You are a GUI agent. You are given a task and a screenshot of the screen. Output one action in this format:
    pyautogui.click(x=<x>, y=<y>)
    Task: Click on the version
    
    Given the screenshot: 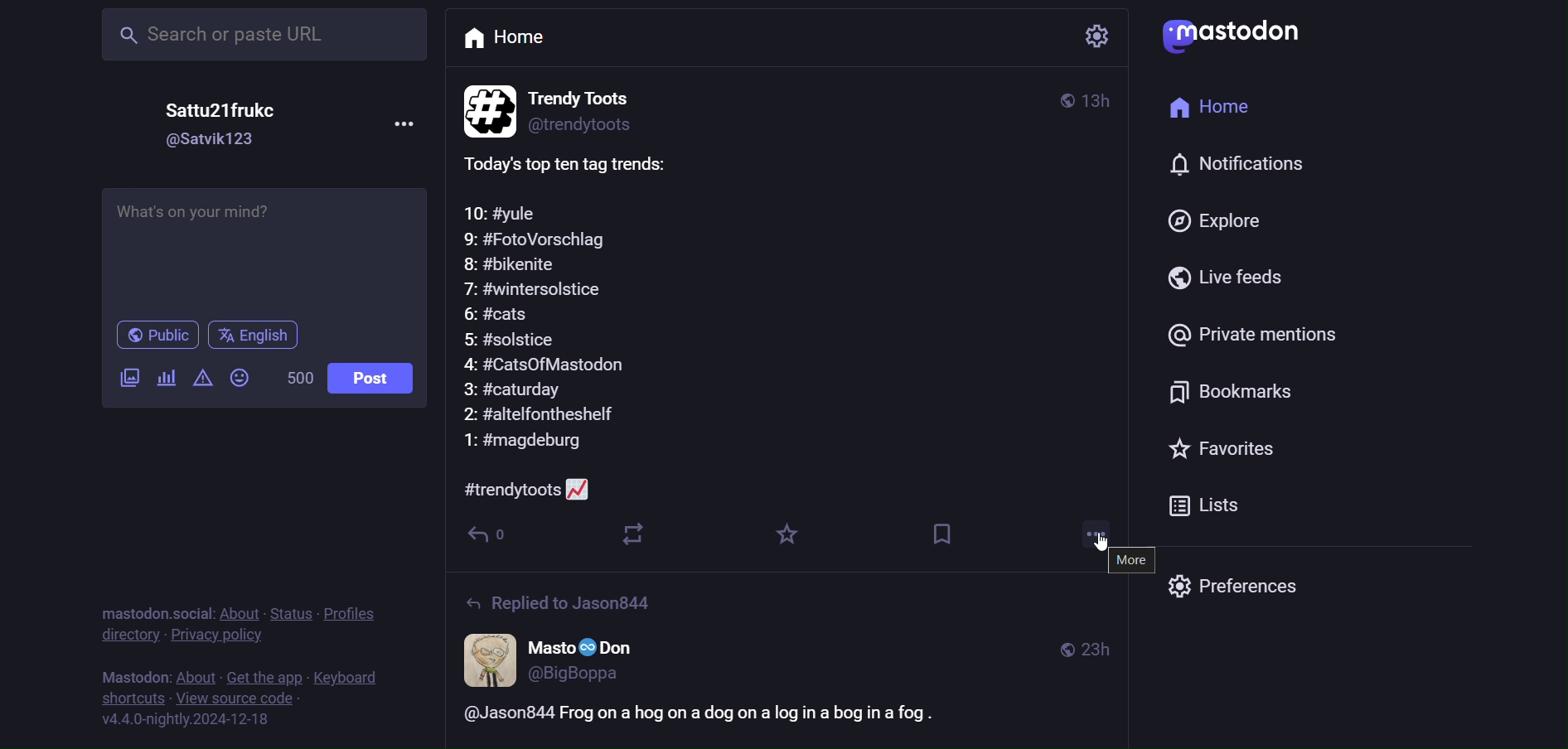 What is the action you would take?
    pyautogui.click(x=190, y=722)
    